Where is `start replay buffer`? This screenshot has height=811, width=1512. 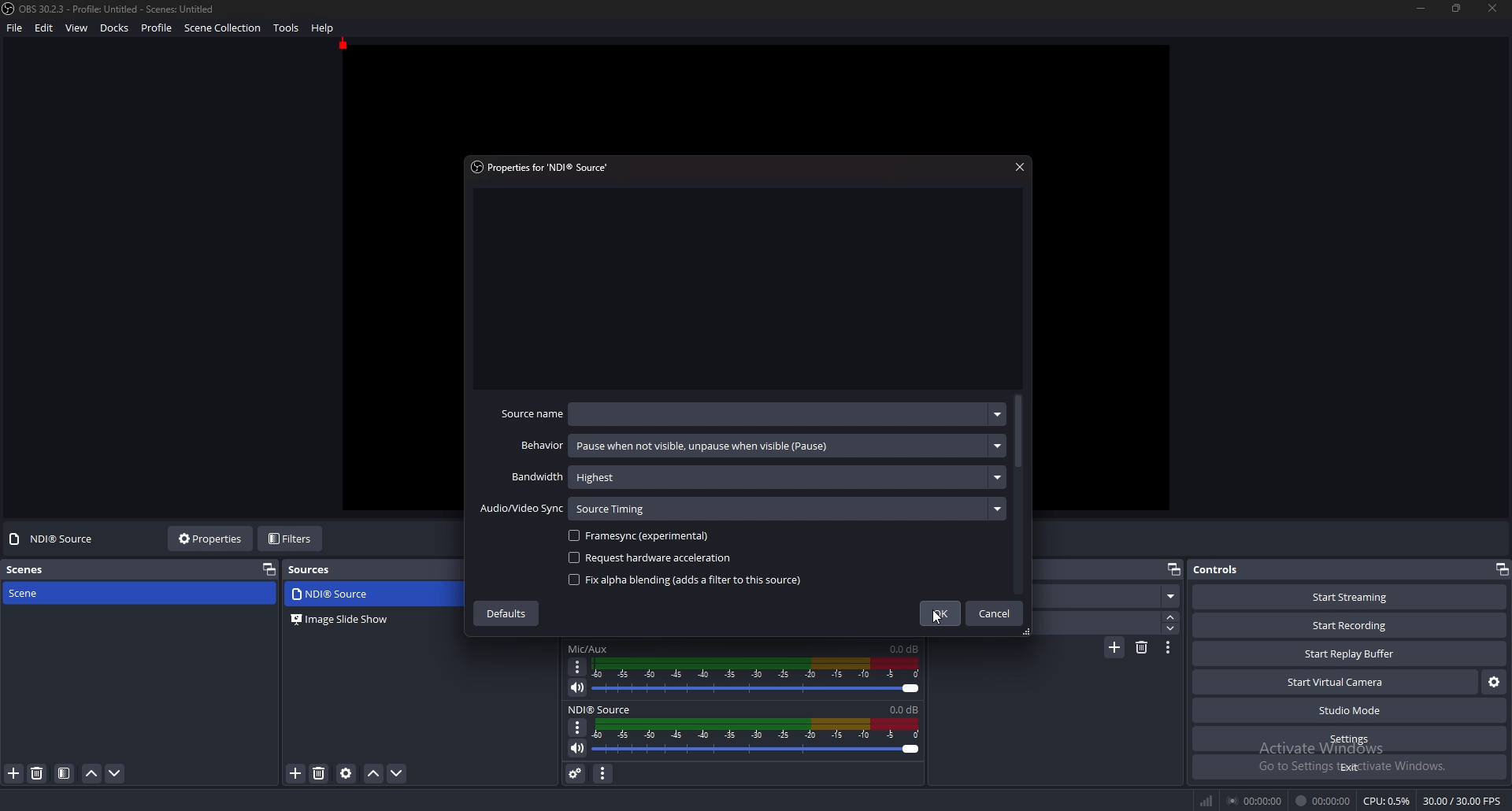 start replay buffer is located at coordinates (1348, 654).